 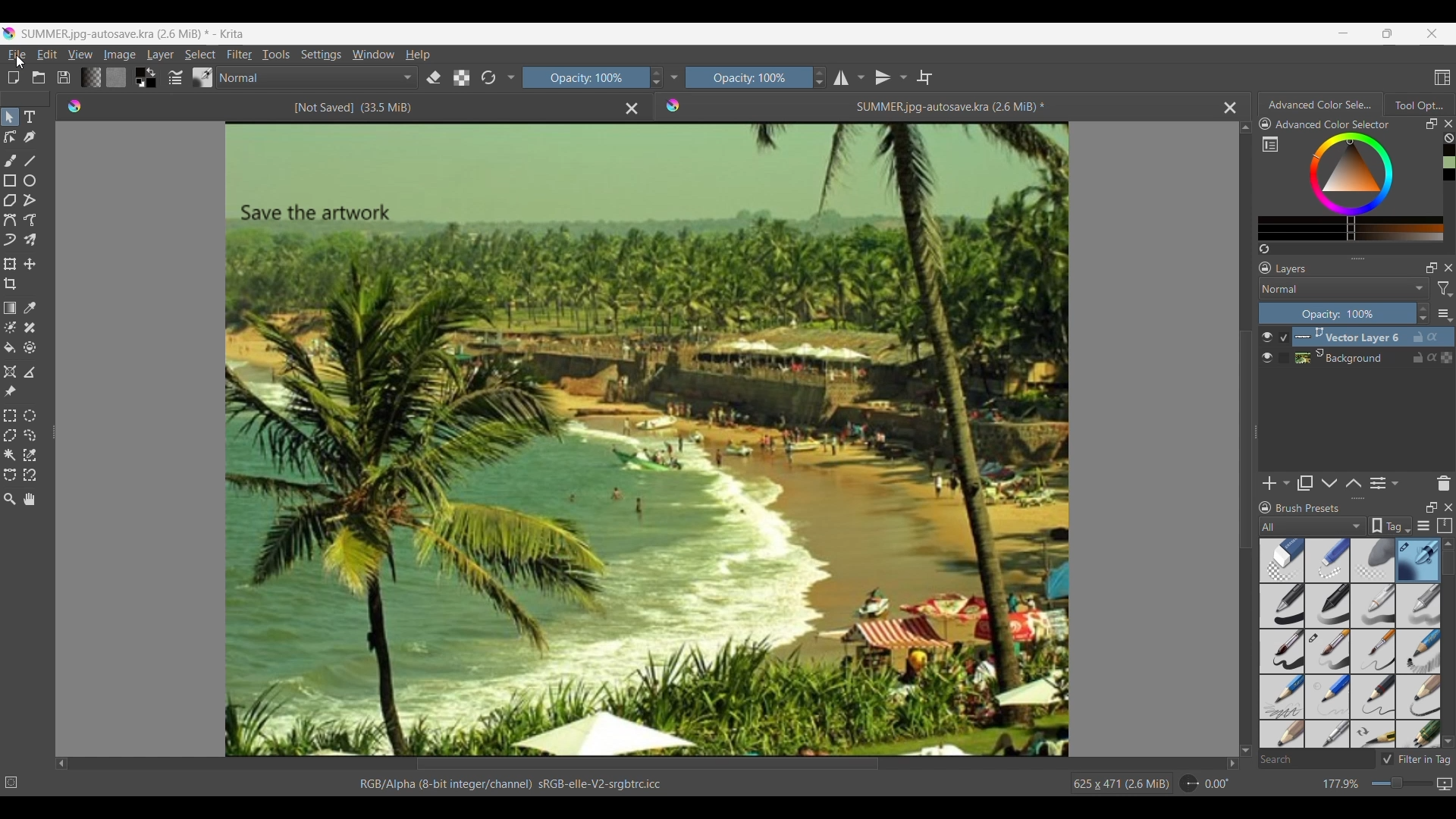 What do you see at coordinates (30, 307) in the screenshot?
I see `Pick sample color from current layer` at bounding box center [30, 307].